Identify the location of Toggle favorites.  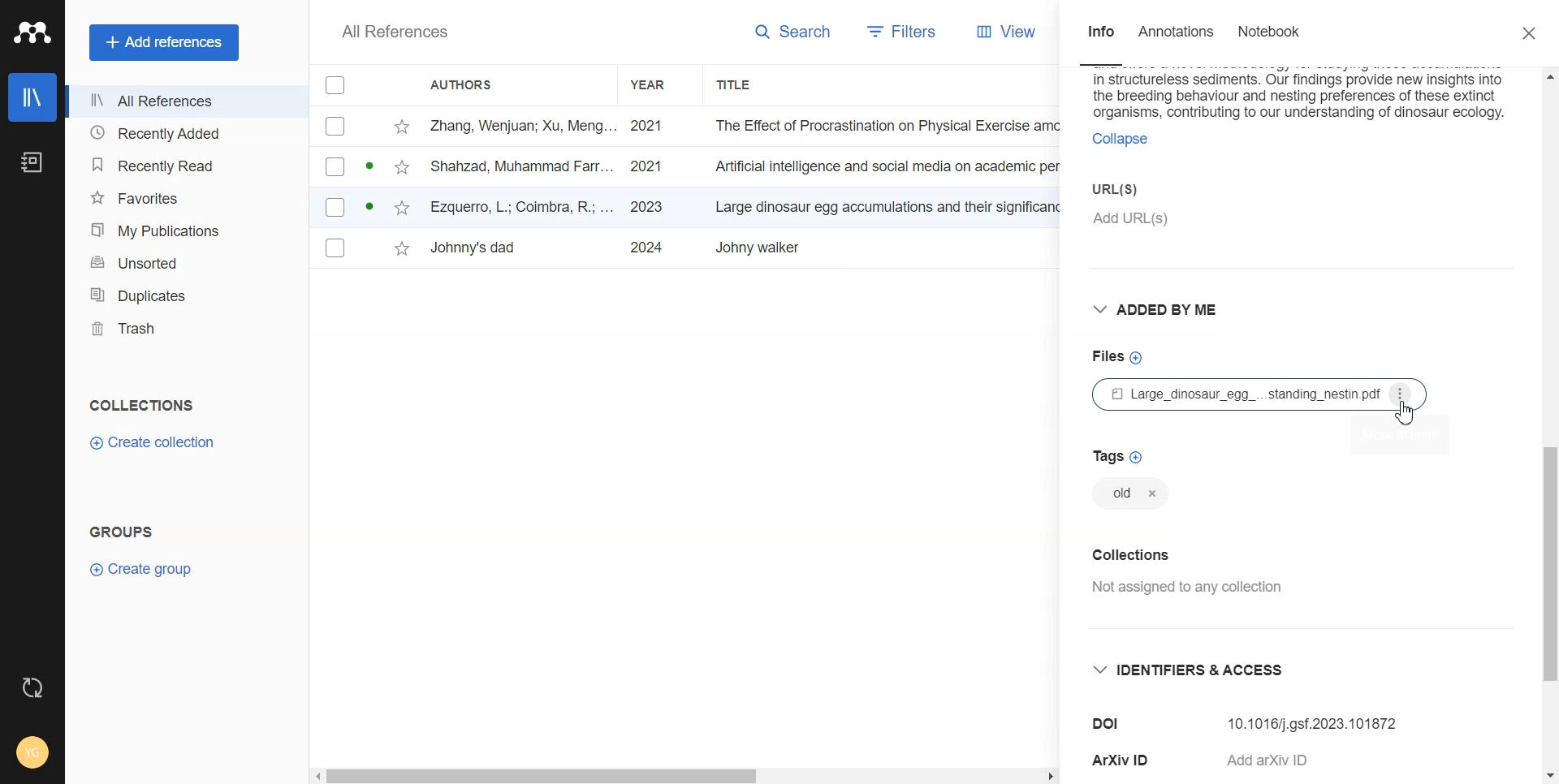
(400, 248).